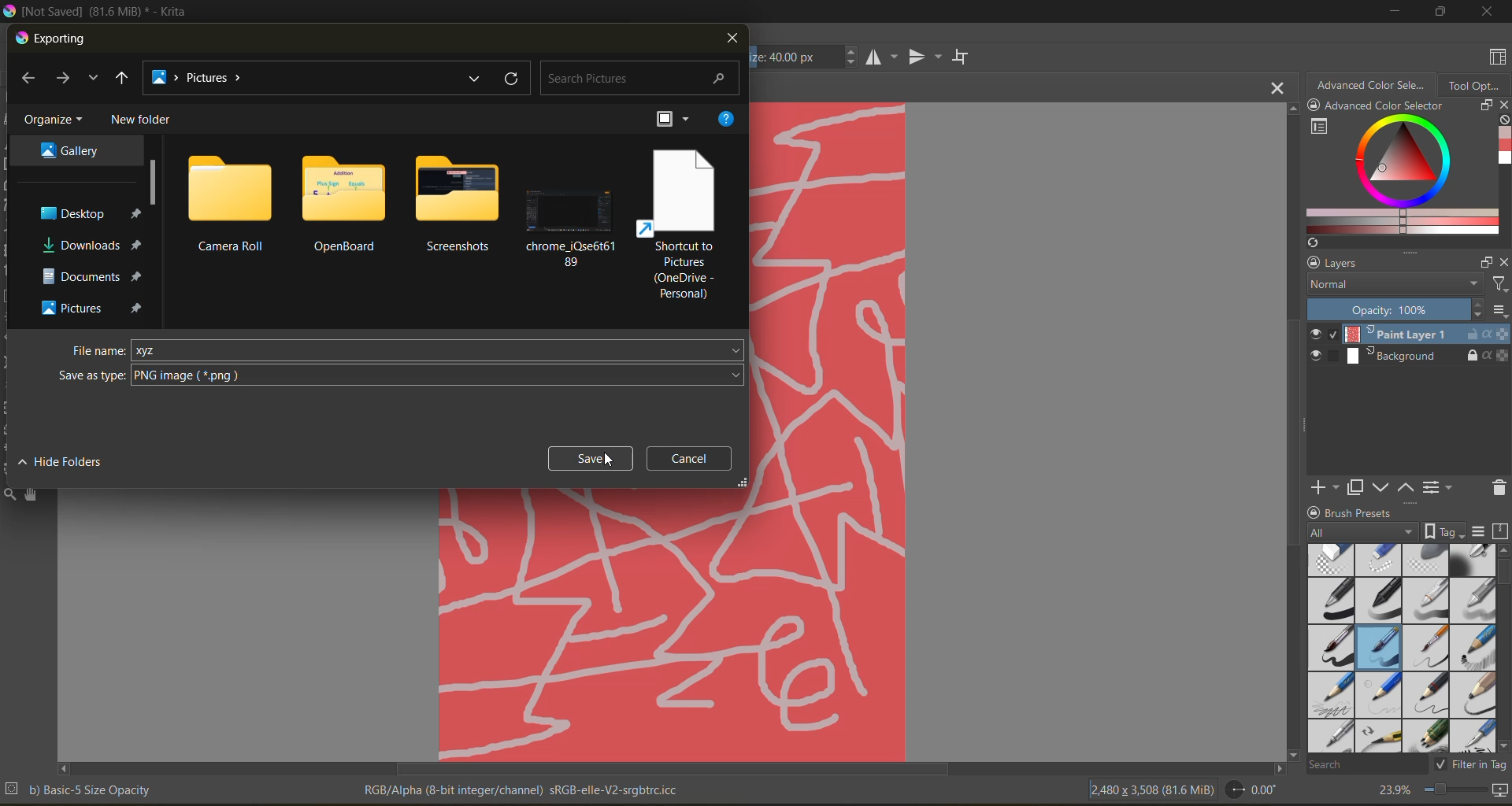 The height and width of the screenshot is (806, 1512). What do you see at coordinates (155, 182) in the screenshot?
I see `vertical scroll bar` at bounding box center [155, 182].